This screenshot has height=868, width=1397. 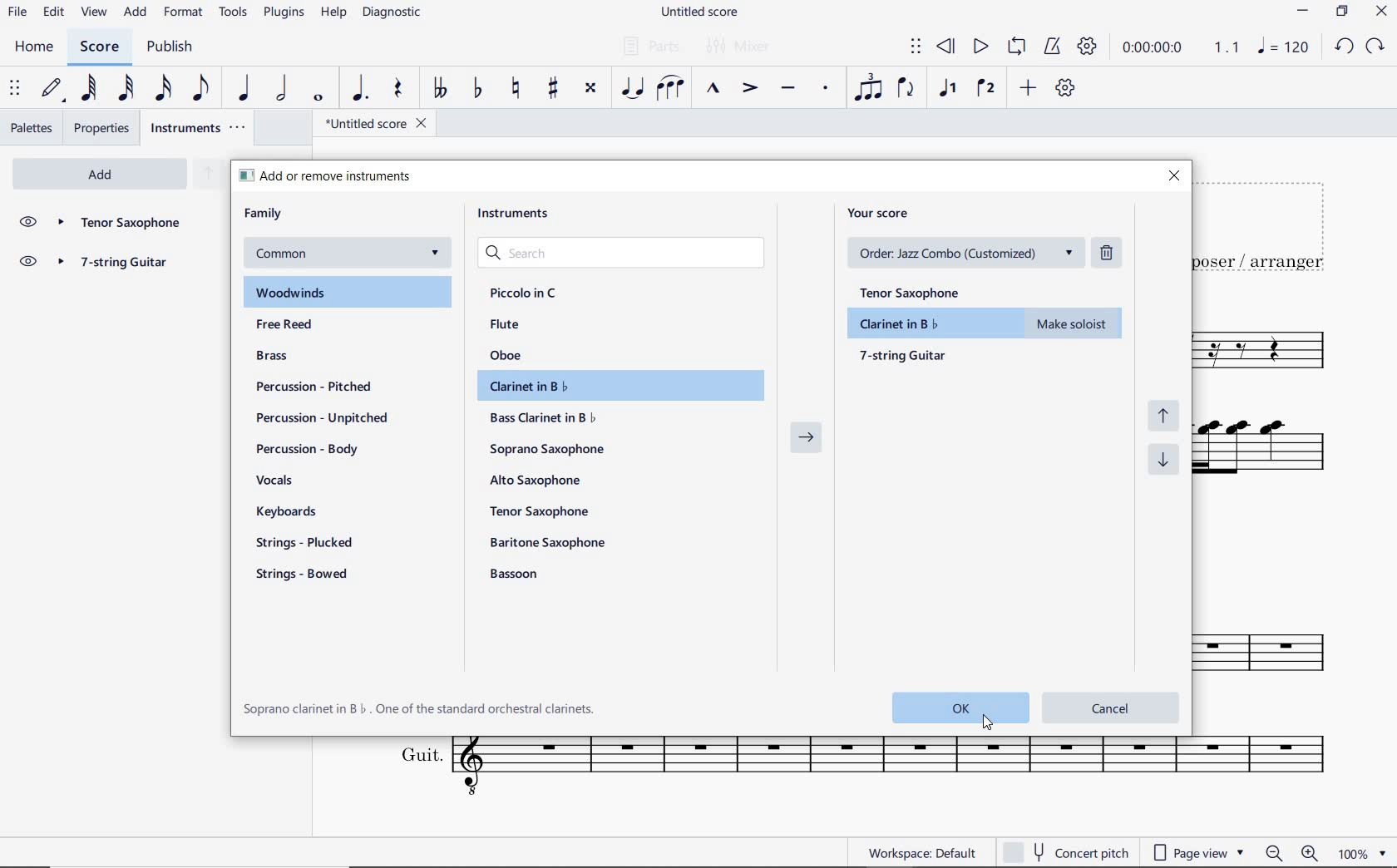 What do you see at coordinates (100, 175) in the screenshot?
I see `add instrument` at bounding box center [100, 175].